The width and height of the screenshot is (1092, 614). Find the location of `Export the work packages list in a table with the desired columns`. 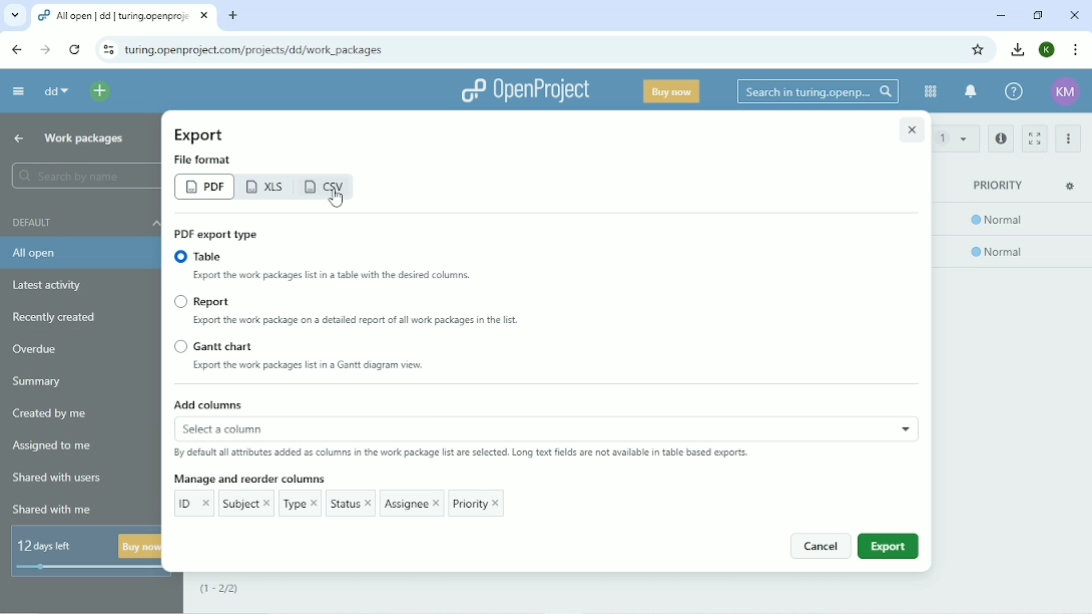

Export the work packages list in a table with the desired columns is located at coordinates (362, 278).